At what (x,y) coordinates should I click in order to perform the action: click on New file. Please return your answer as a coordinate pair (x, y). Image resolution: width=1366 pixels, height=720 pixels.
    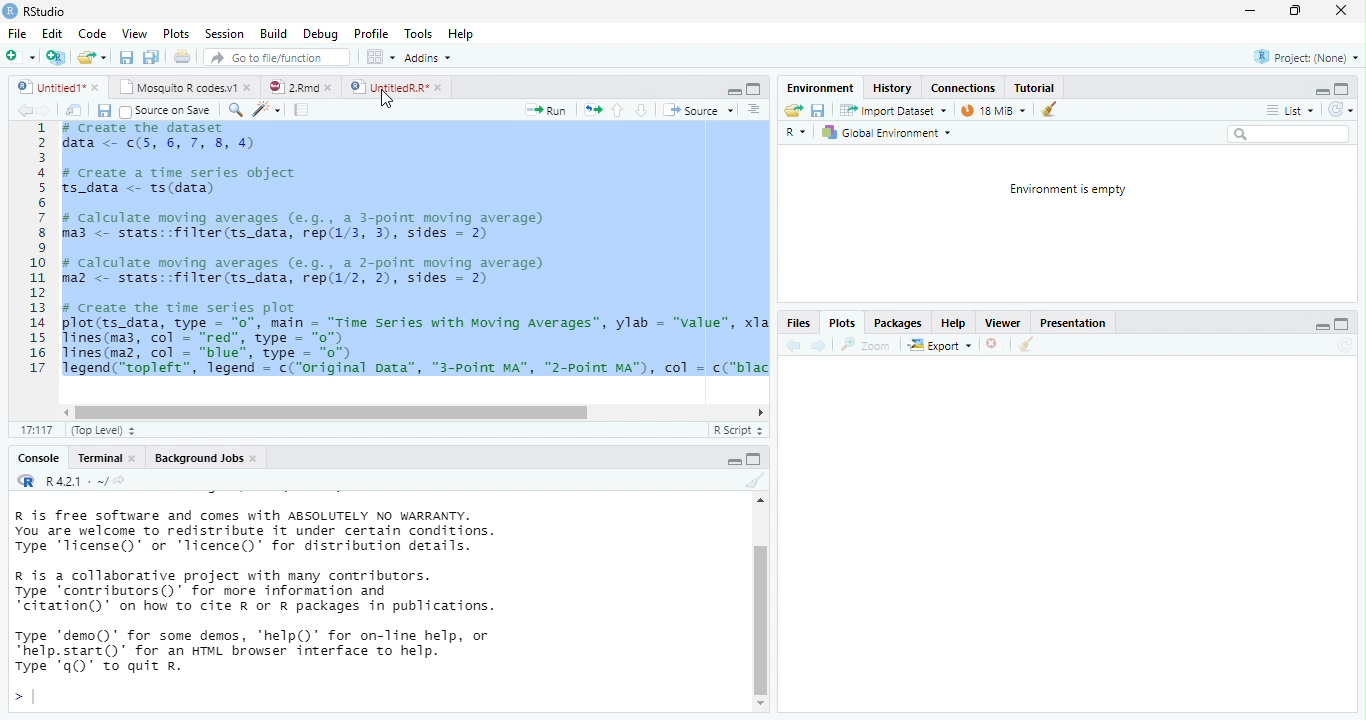
    Looking at the image, I should click on (19, 57).